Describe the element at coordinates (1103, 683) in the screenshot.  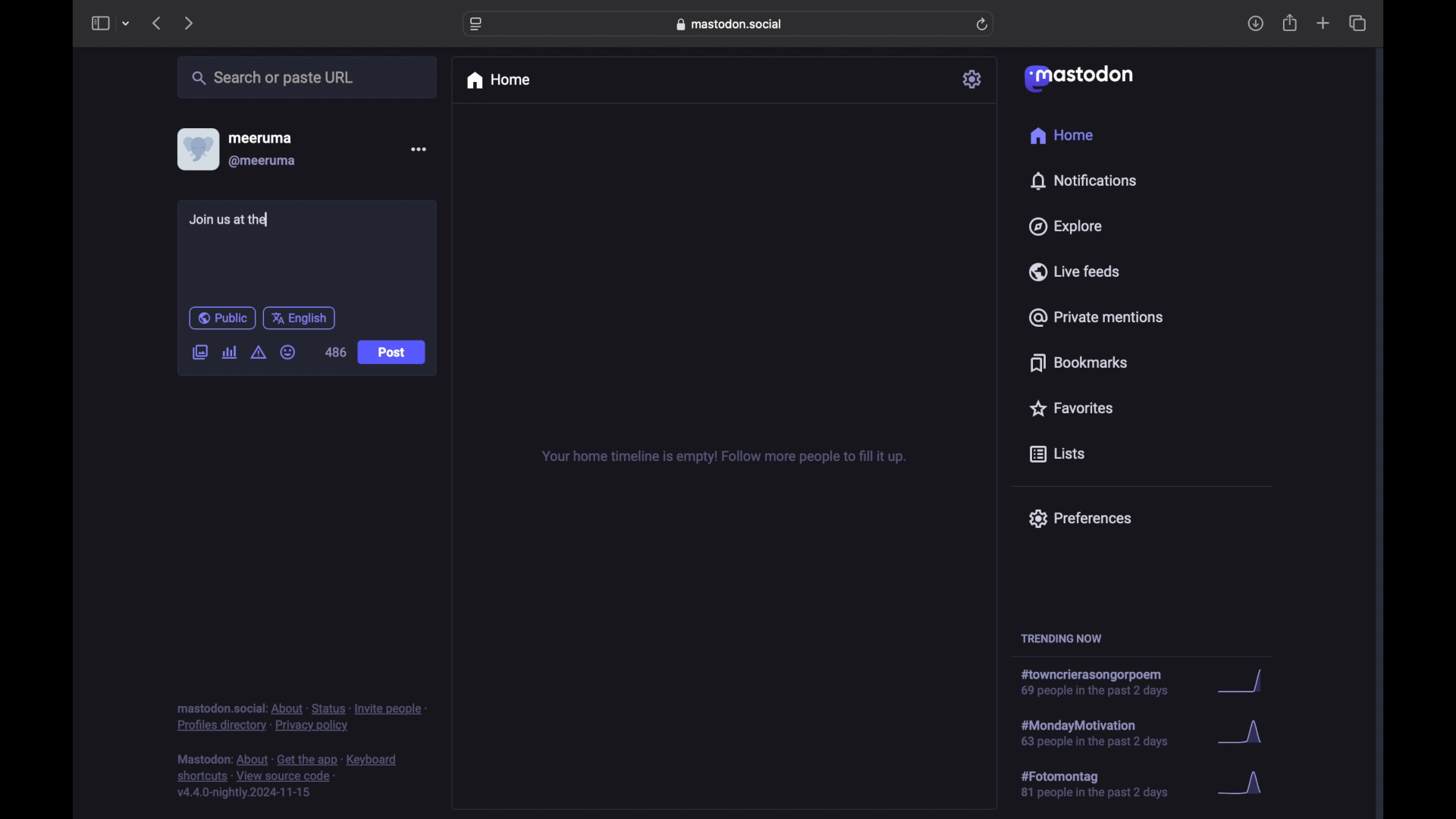
I see `hashtag trend` at that location.